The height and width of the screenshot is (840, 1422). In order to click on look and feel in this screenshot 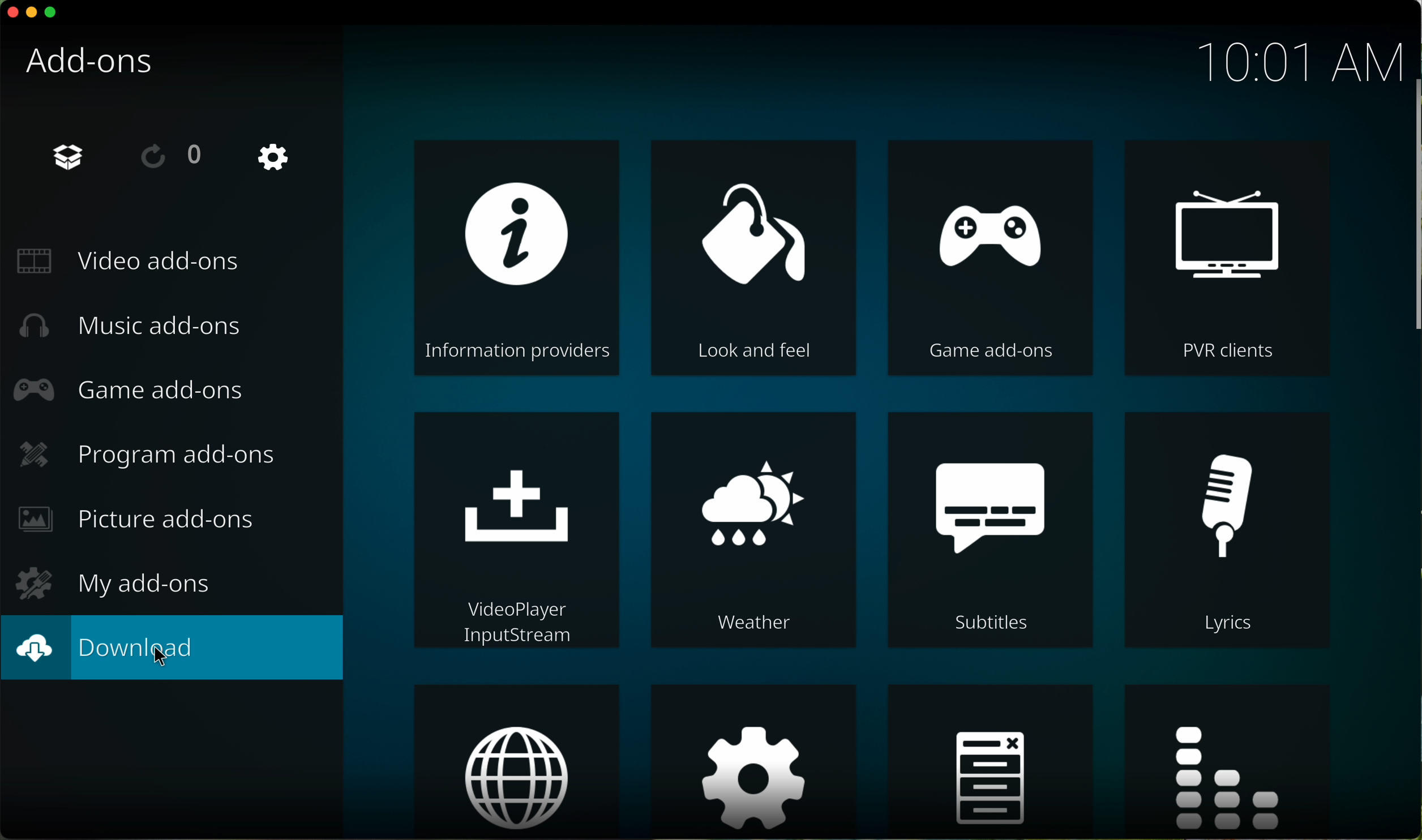, I will do `click(755, 258)`.